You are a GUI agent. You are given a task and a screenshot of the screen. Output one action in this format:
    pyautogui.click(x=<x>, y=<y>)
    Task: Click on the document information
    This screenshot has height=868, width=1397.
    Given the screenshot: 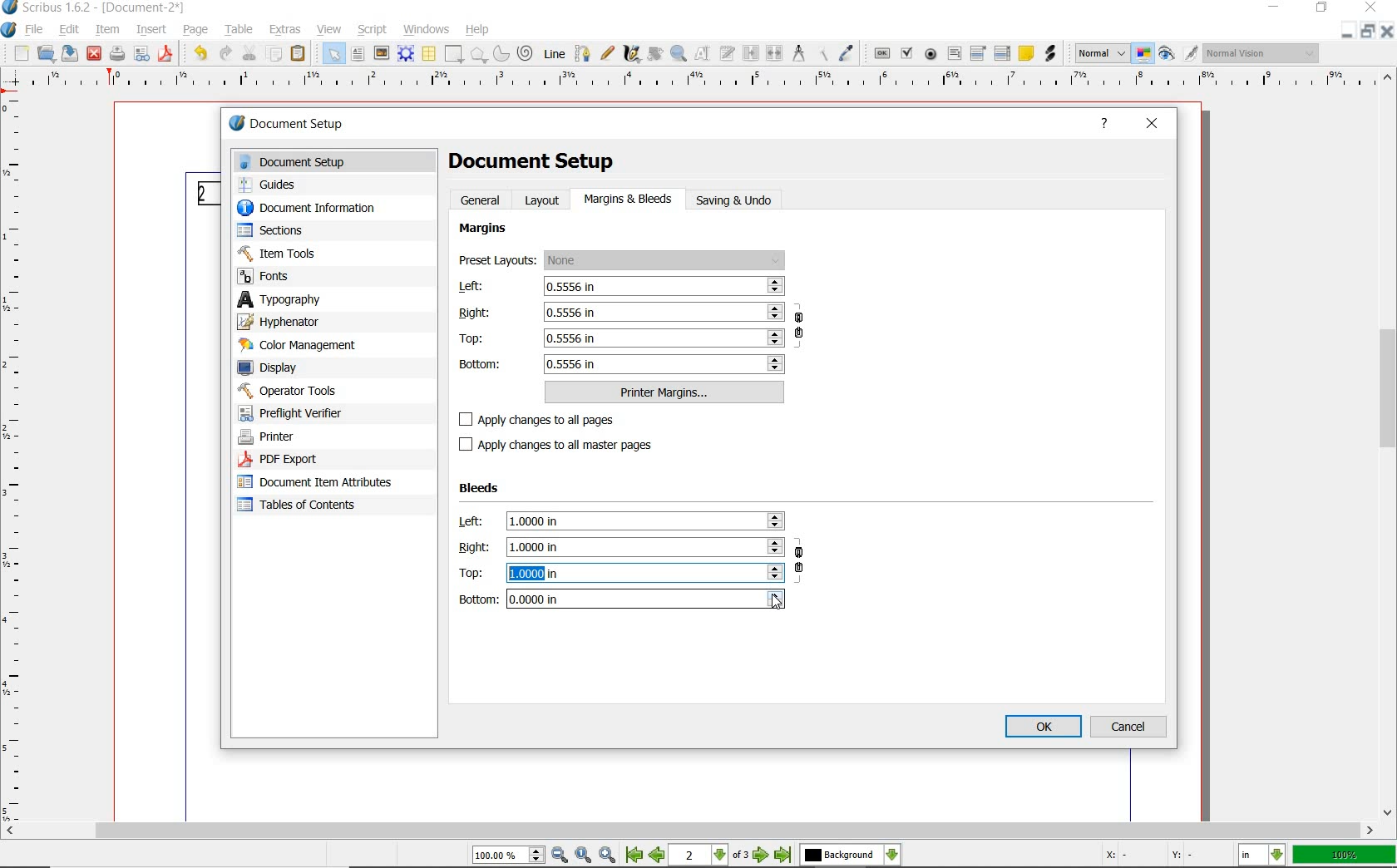 What is the action you would take?
    pyautogui.click(x=323, y=209)
    